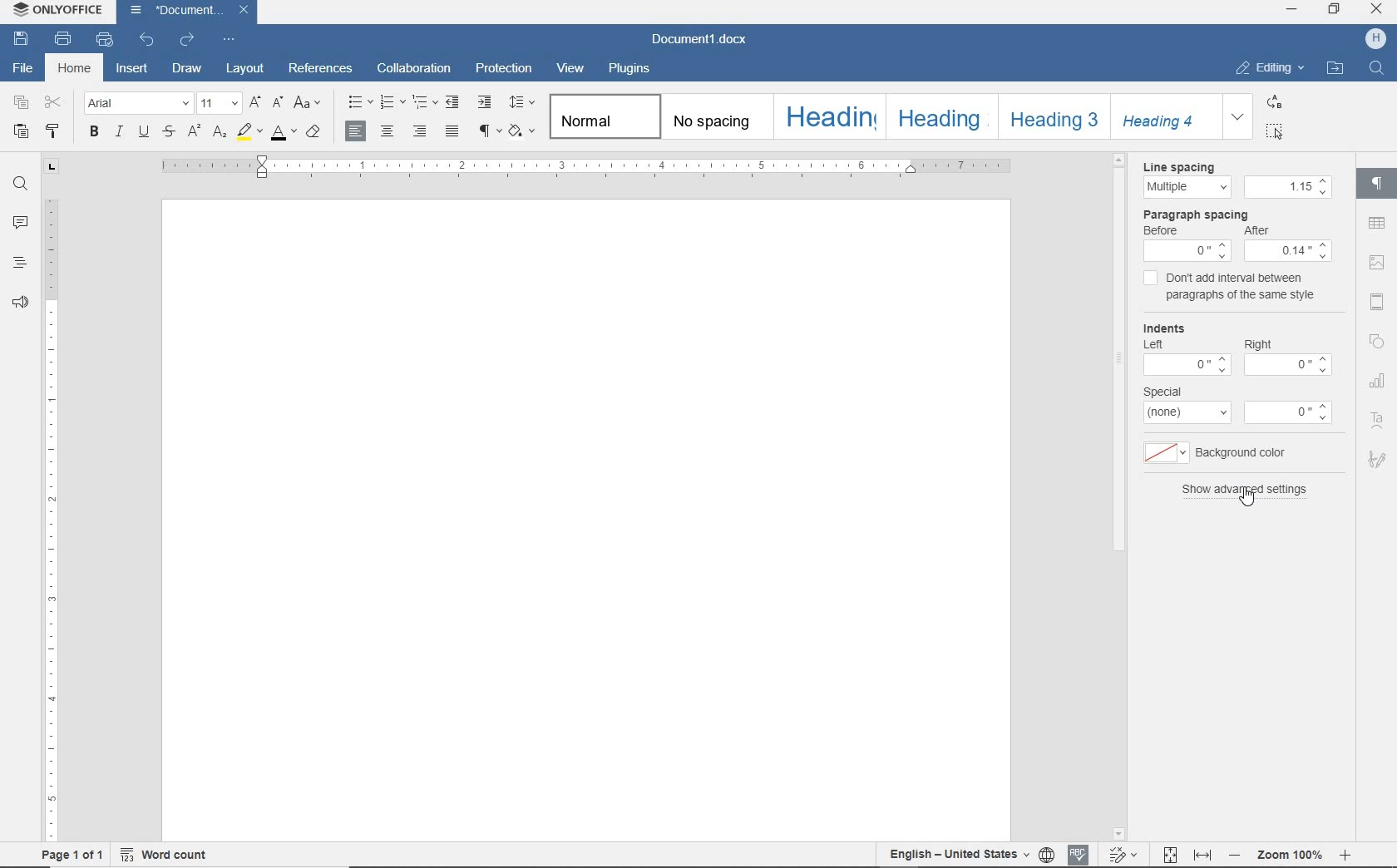 The width and height of the screenshot is (1397, 868). I want to click on Signature, so click(1380, 461).